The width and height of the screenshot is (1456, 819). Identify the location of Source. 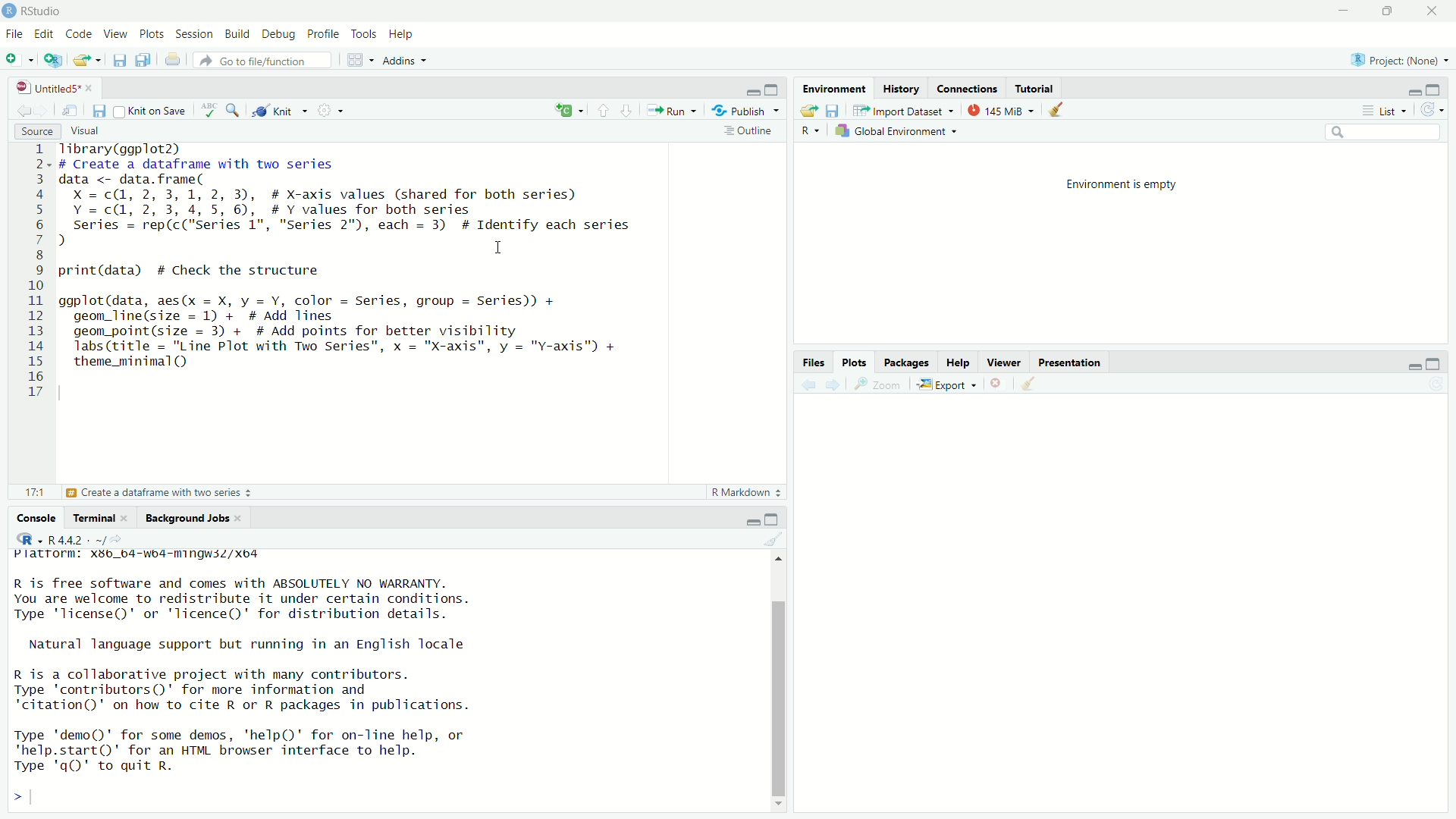
(36, 132).